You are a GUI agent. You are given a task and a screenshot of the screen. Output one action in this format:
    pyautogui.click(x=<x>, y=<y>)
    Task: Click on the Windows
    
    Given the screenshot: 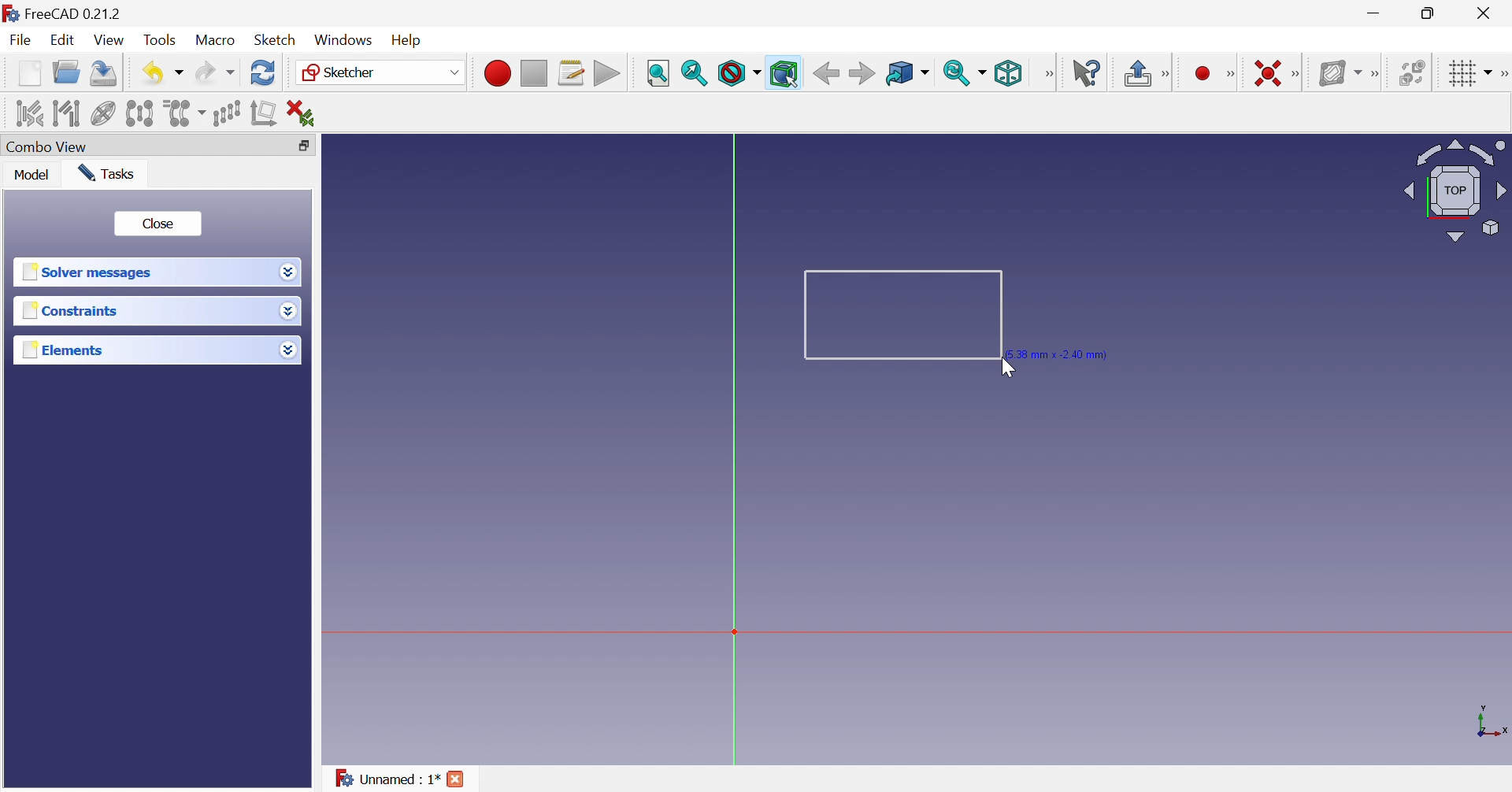 What is the action you would take?
    pyautogui.click(x=343, y=41)
    